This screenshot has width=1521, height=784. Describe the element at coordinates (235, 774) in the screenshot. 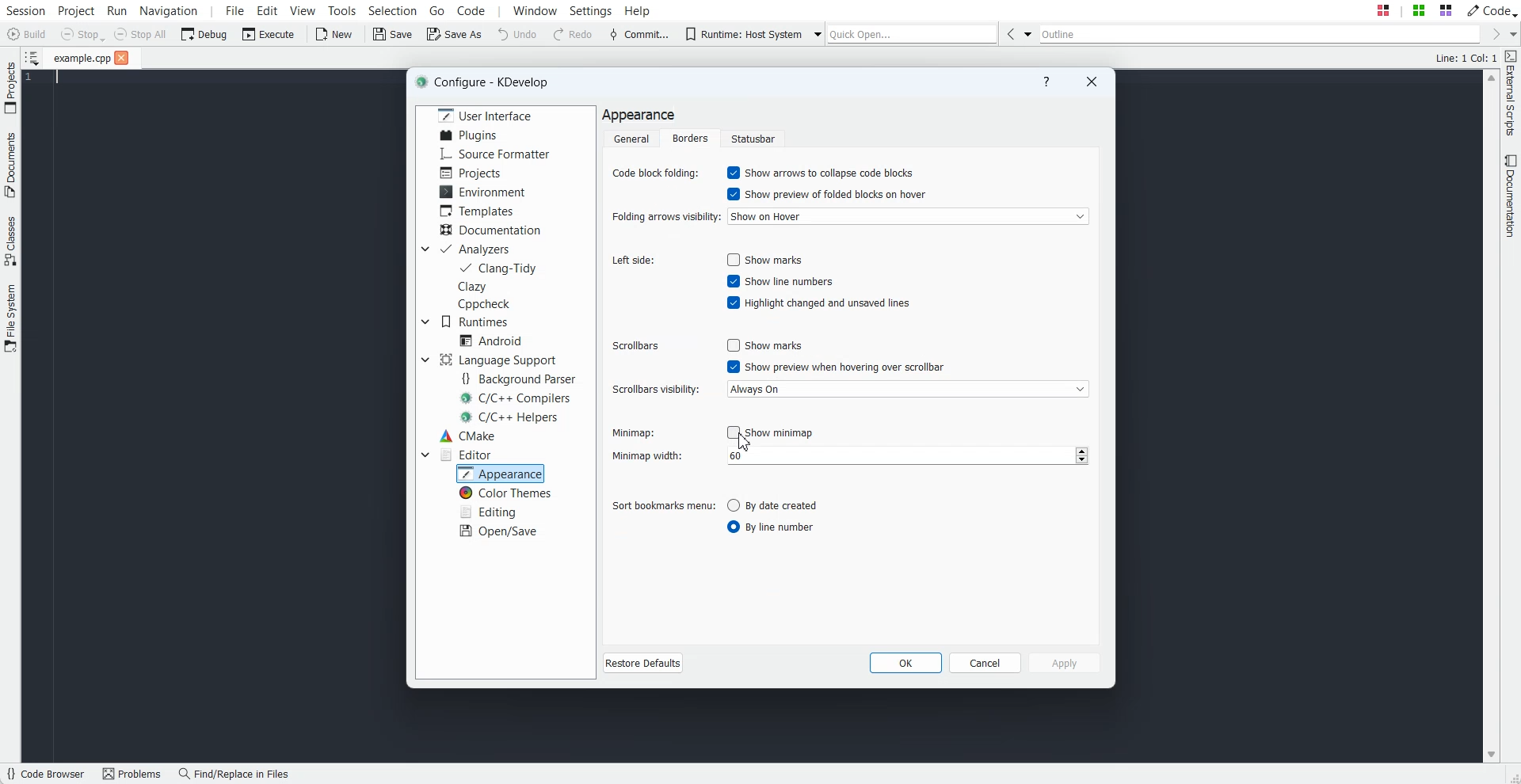

I see `Find/Replace in Files` at that location.